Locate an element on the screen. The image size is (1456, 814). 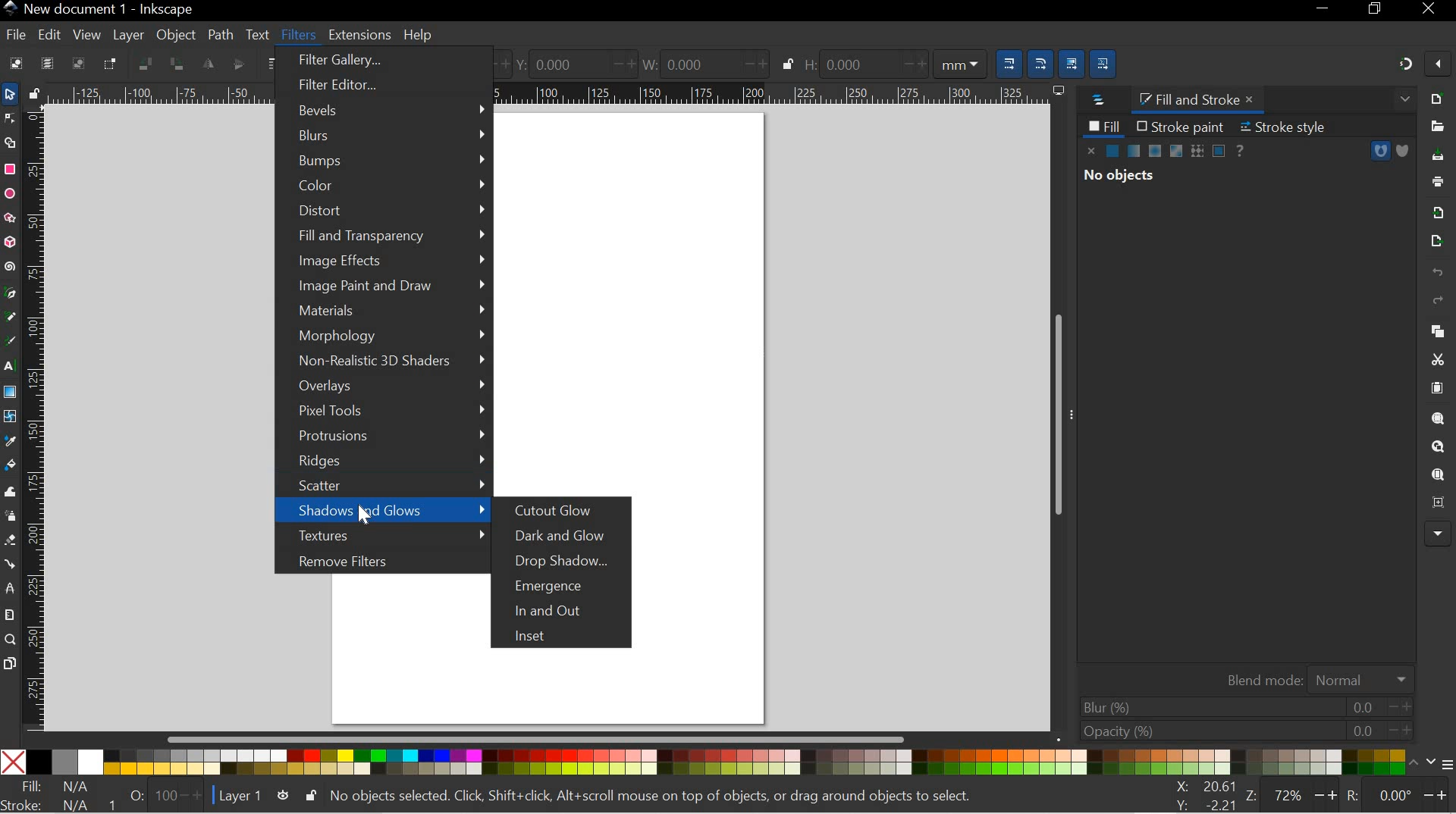
LOCK OR UNLOCK is located at coordinates (309, 796).